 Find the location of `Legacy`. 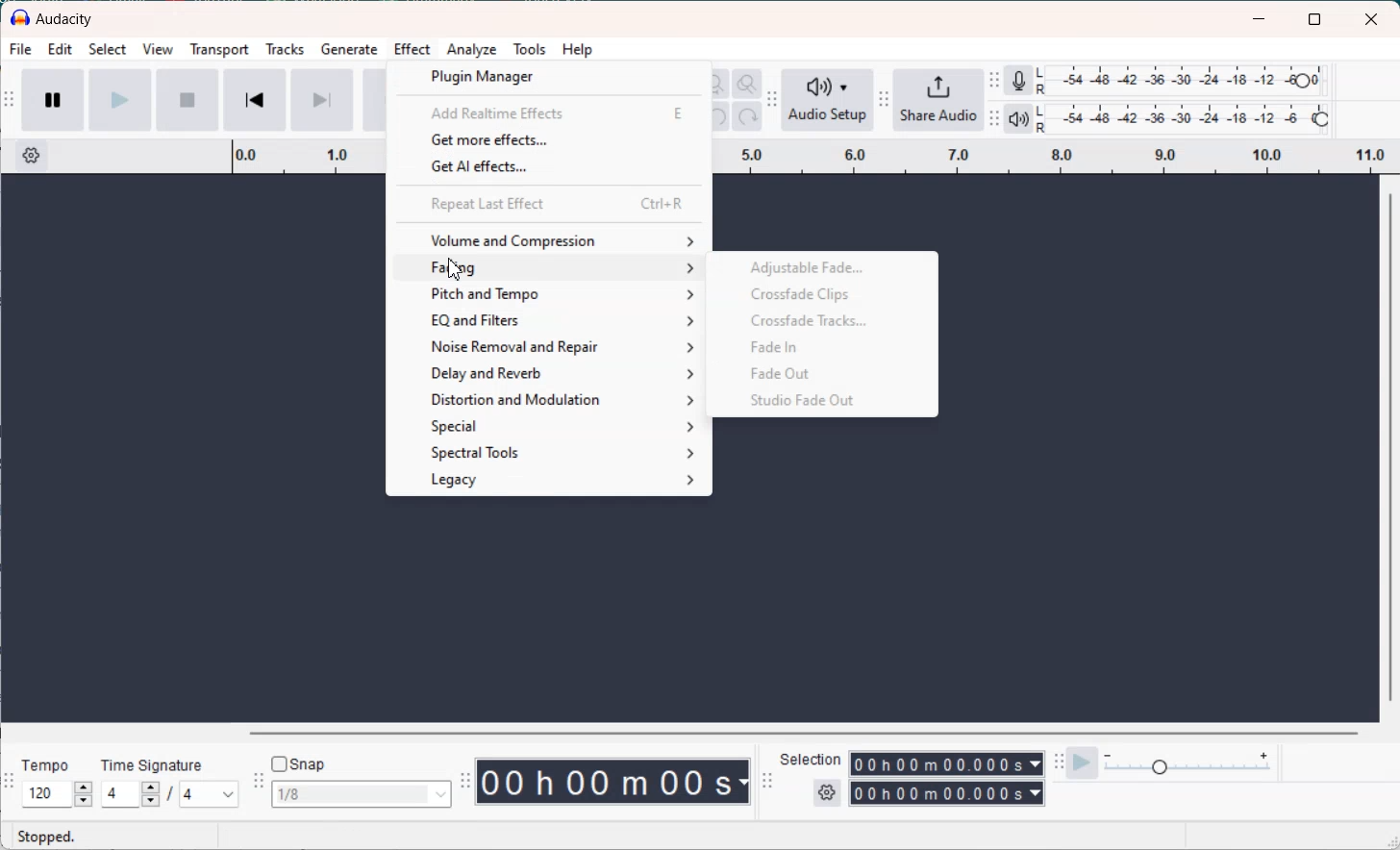

Legacy is located at coordinates (552, 481).